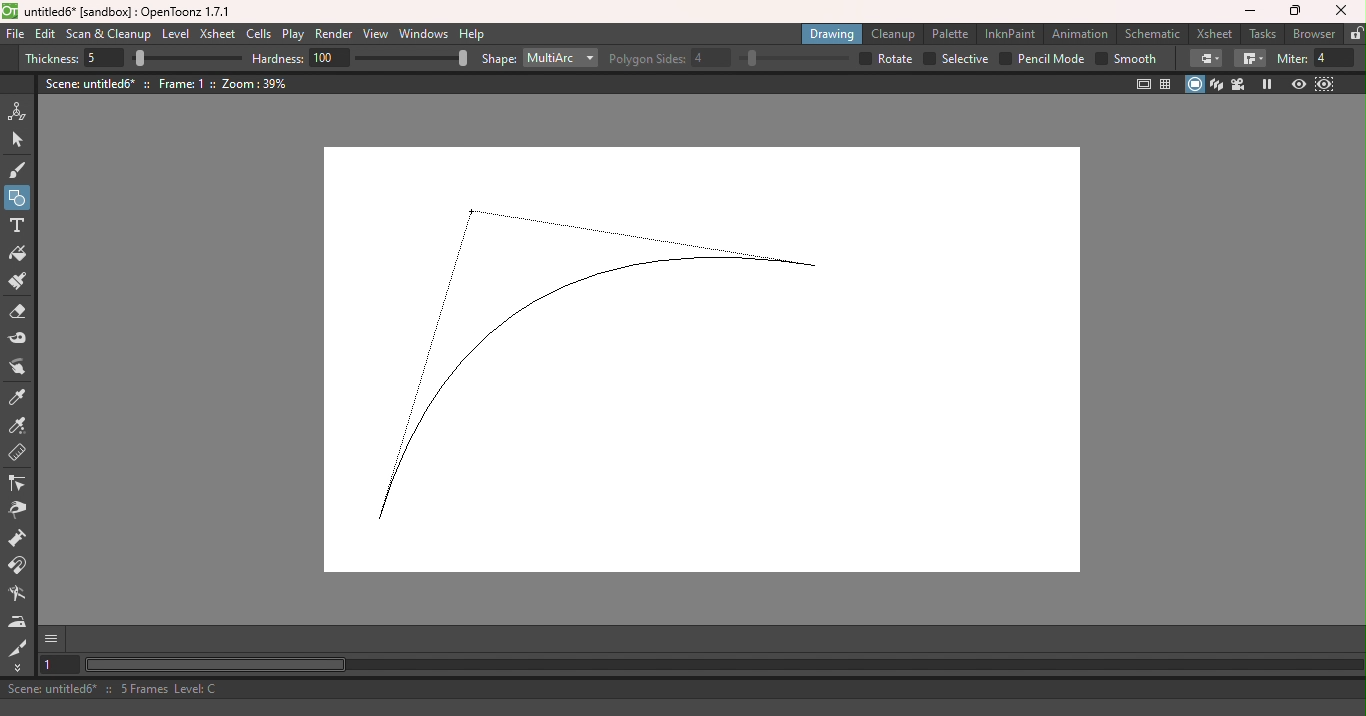 This screenshot has width=1366, height=716. Describe the element at coordinates (792, 59) in the screenshot. I see `Polygon sides bar` at that location.